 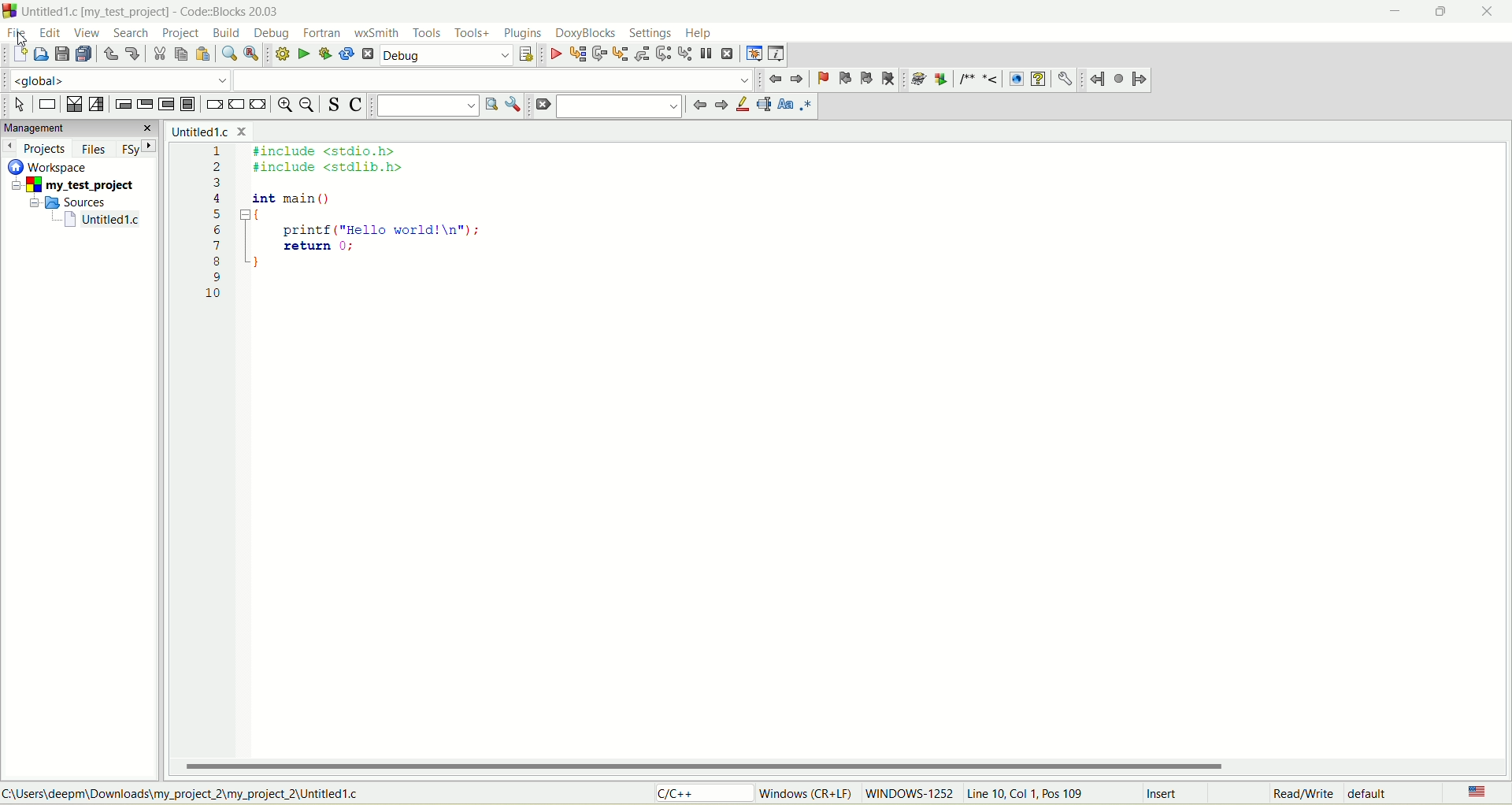 I want to click on code, so click(x=342, y=233).